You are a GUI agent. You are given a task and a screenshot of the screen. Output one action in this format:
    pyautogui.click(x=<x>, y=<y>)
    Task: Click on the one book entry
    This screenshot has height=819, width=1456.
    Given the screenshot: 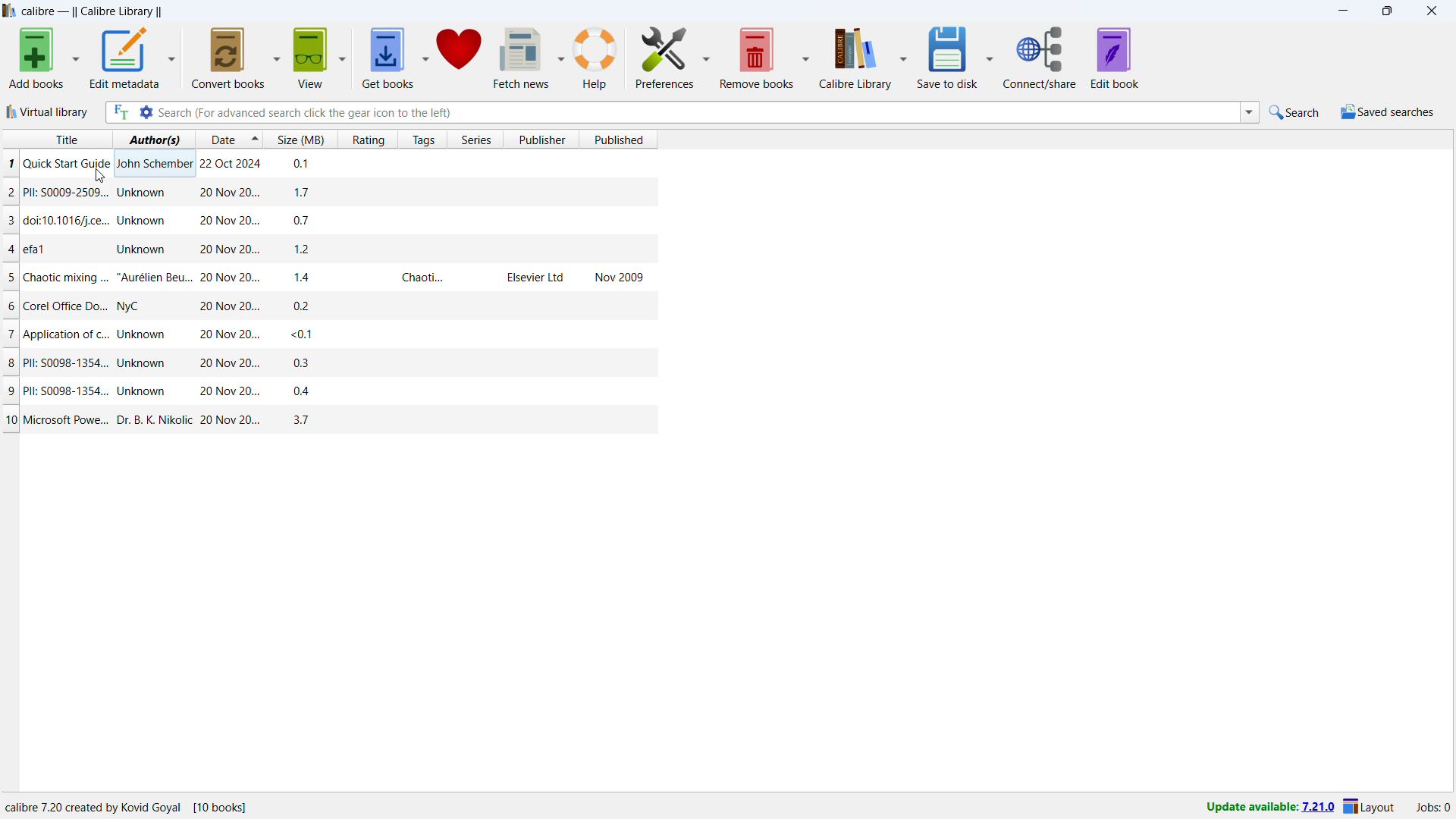 What is the action you would take?
    pyautogui.click(x=326, y=277)
    